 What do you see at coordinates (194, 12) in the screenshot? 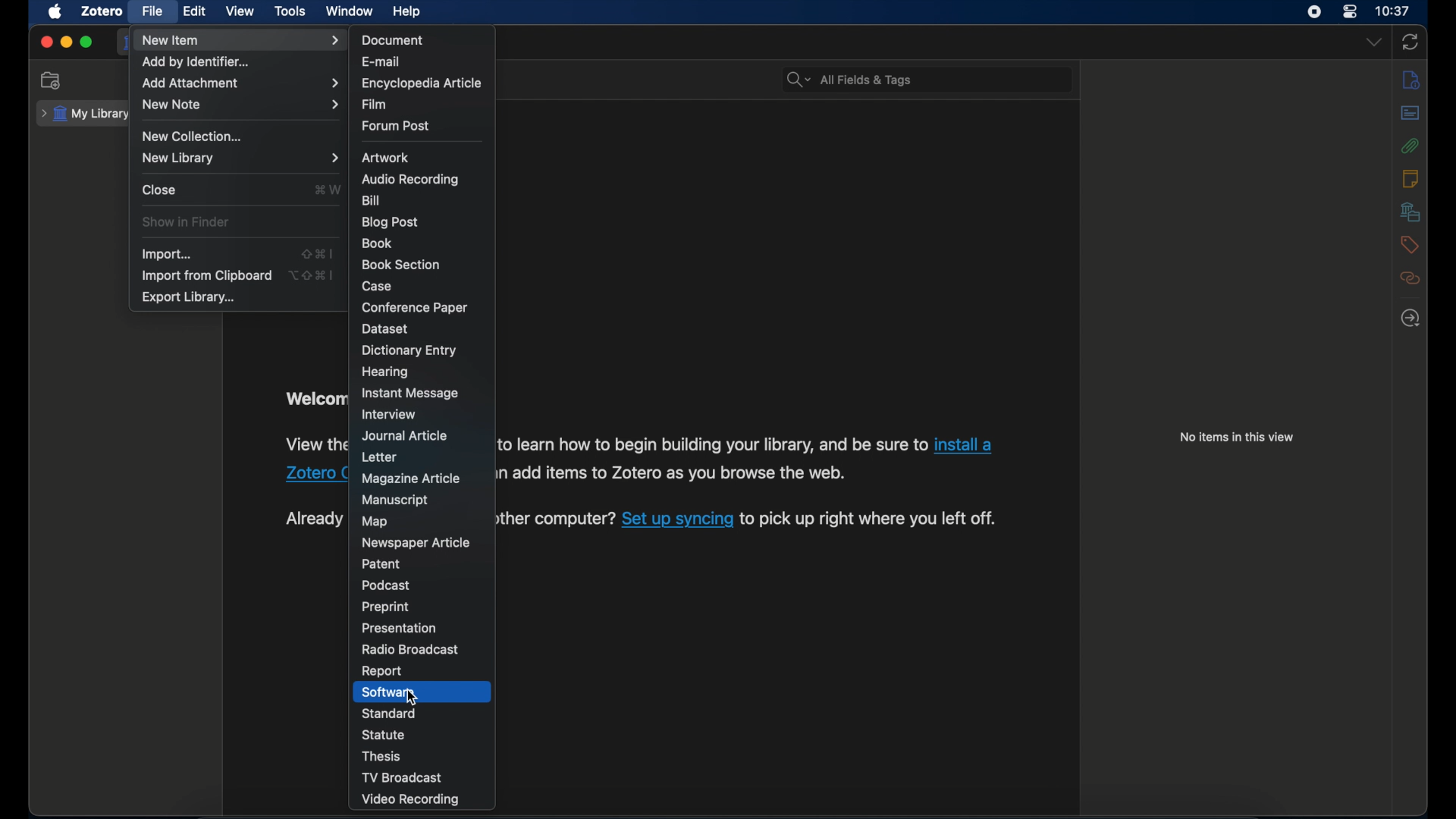
I see `edit` at bounding box center [194, 12].